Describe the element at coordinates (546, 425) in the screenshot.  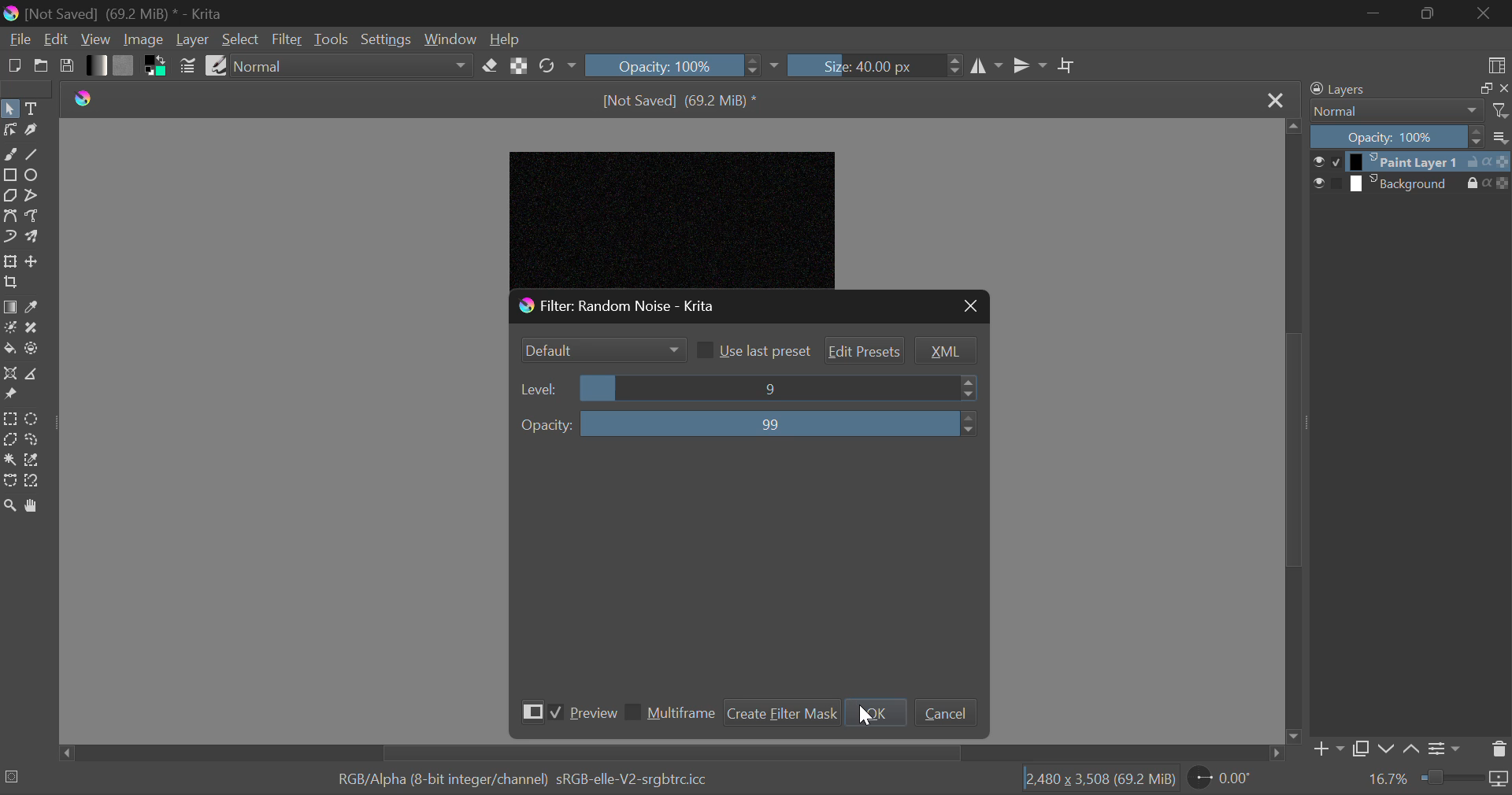
I see `opacity` at that location.